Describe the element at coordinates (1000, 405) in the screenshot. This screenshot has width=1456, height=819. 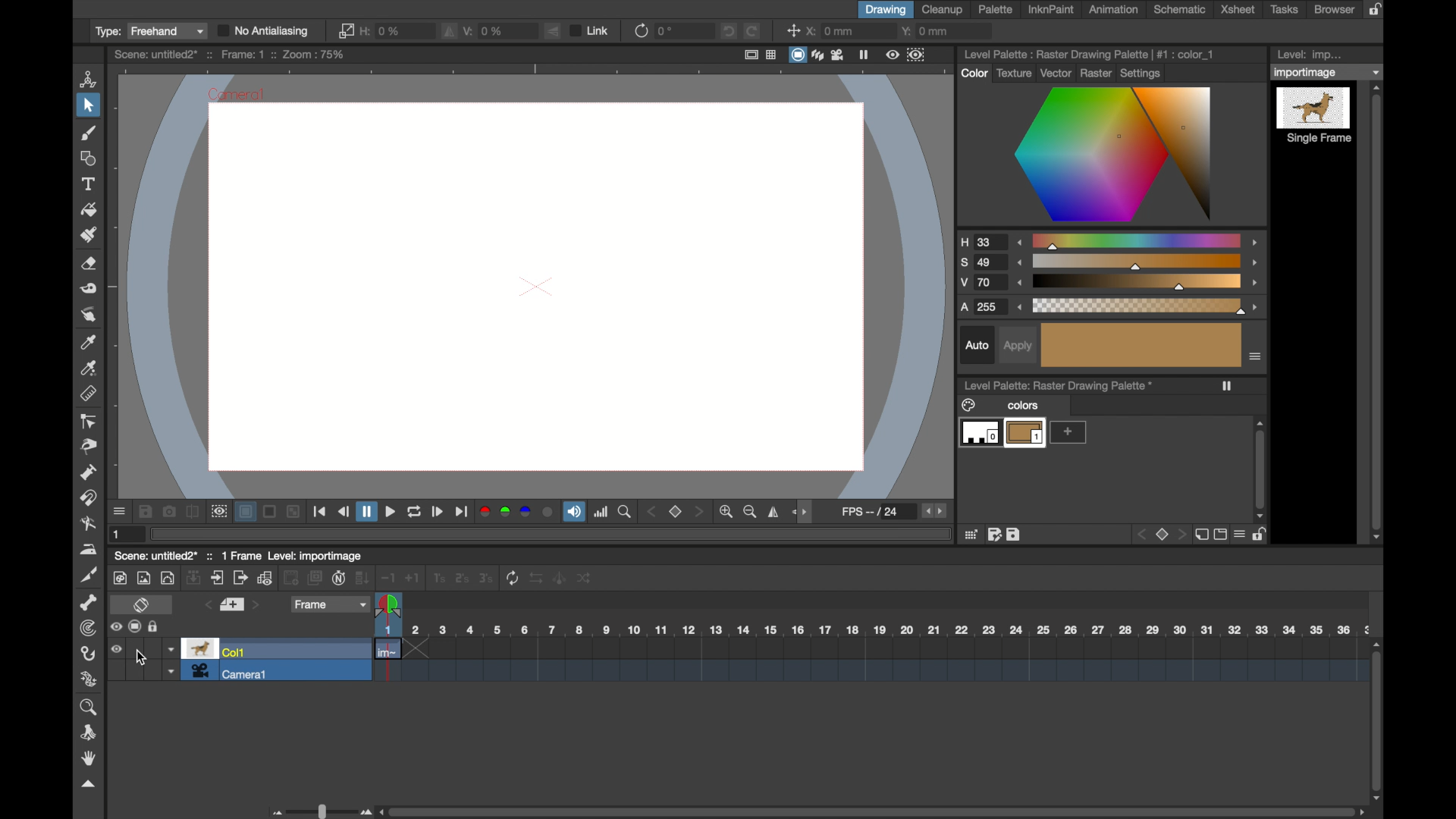
I see `colors` at that location.